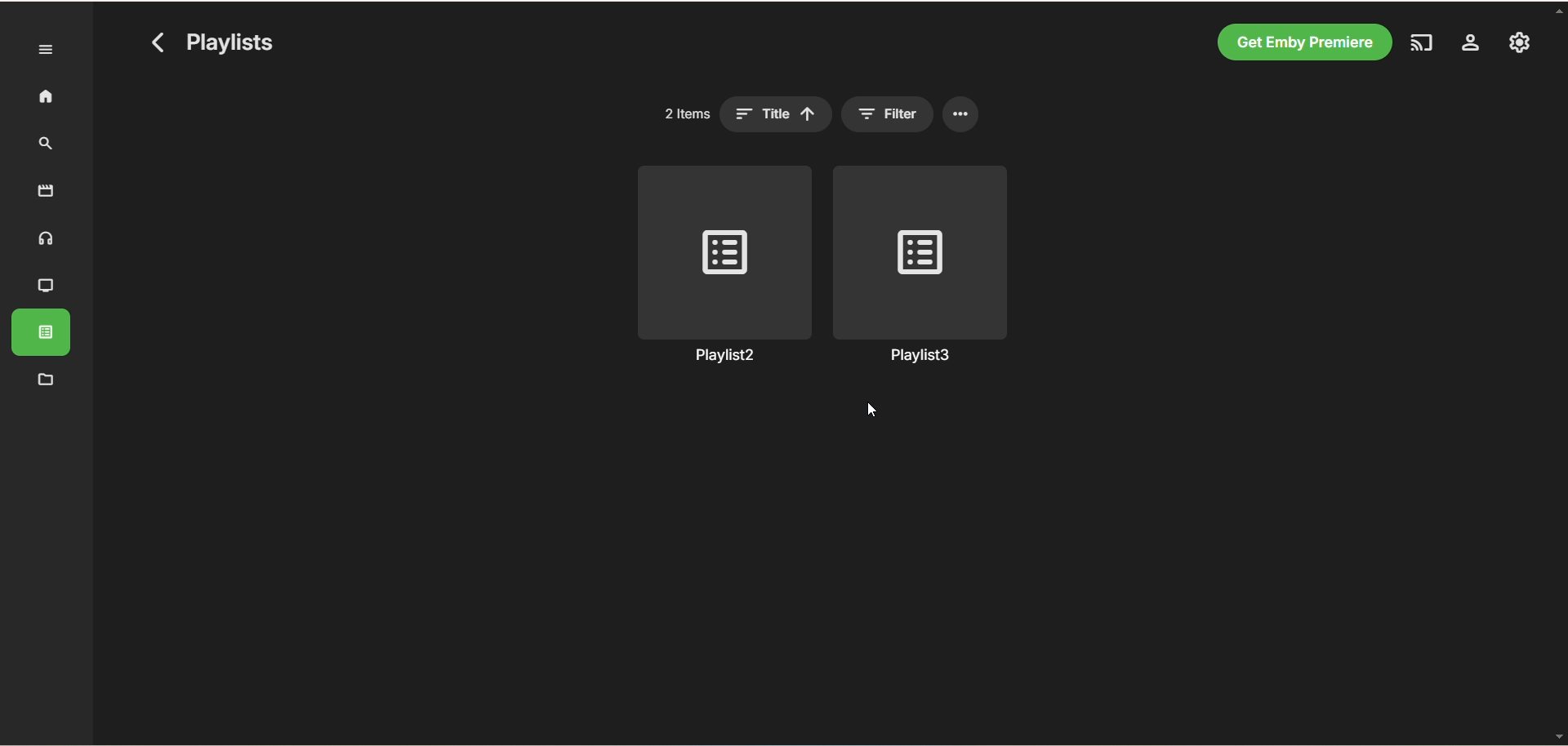 The image size is (1568, 746). What do you see at coordinates (776, 114) in the screenshot?
I see `title` at bounding box center [776, 114].